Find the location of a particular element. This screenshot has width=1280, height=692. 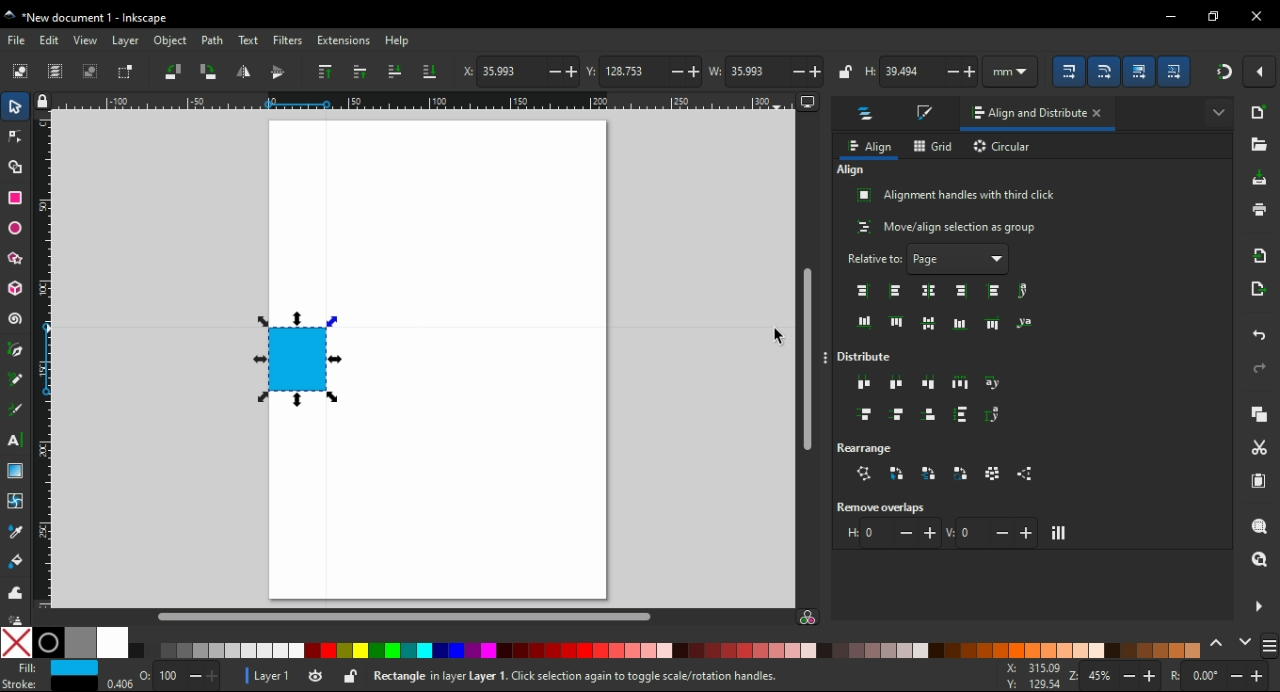

checkbox: alignment handles with third click is located at coordinates (957, 196).